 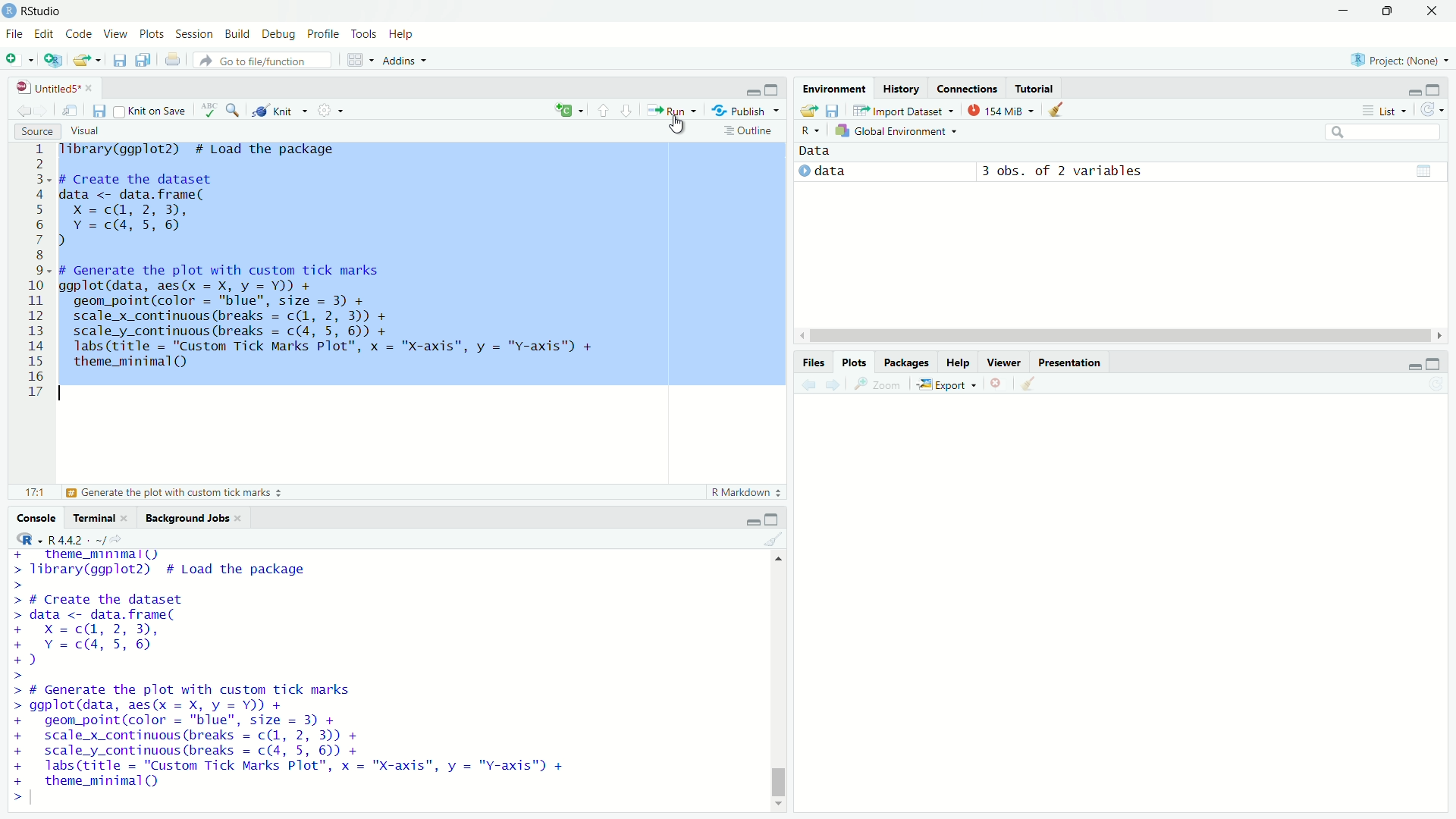 What do you see at coordinates (142, 61) in the screenshot?
I see `save all open documents` at bounding box center [142, 61].